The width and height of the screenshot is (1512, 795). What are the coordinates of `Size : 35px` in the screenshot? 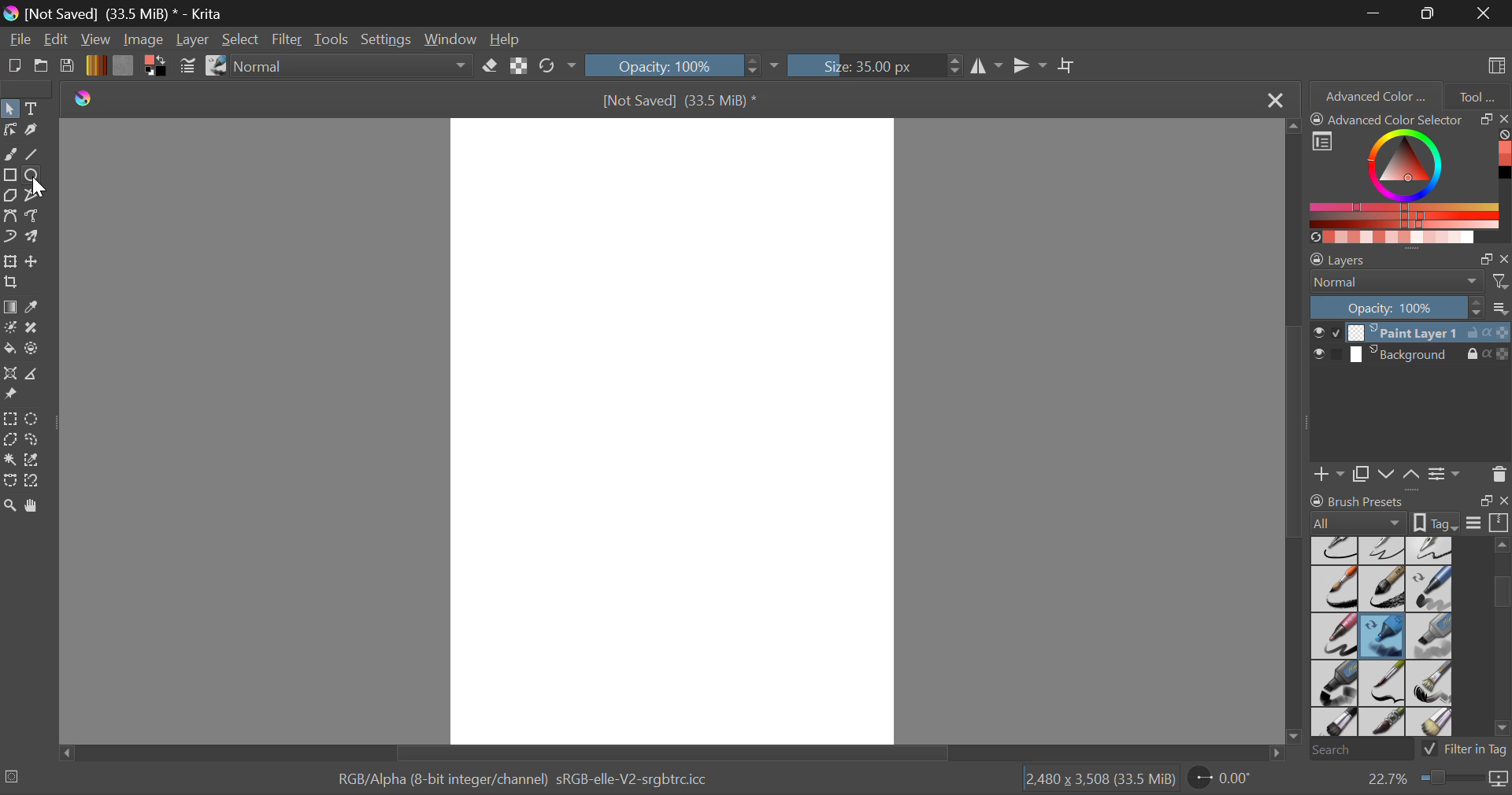 It's located at (874, 65).